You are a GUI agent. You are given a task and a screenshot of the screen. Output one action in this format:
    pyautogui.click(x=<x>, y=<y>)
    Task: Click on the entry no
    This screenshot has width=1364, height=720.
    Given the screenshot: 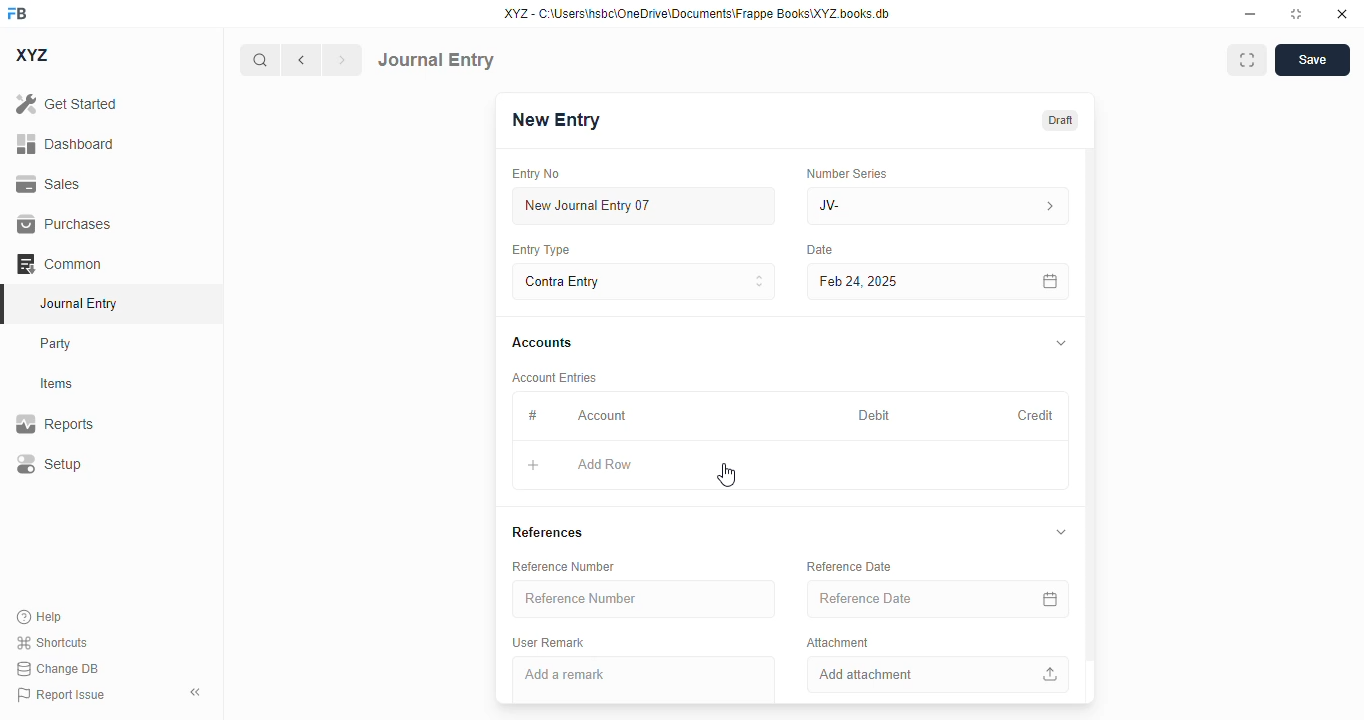 What is the action you would take?
    pyautogui.click(x=537, y=173)
    